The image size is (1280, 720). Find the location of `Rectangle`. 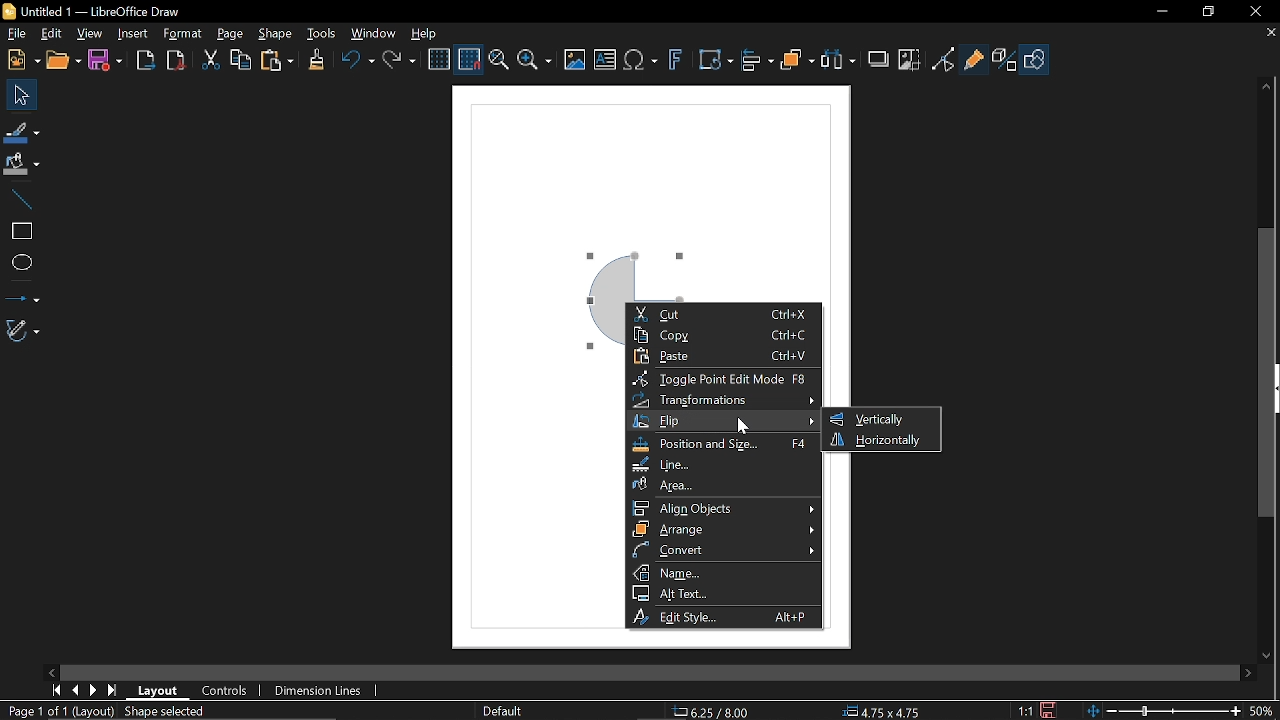

Rectangle is located at coordinates (18, 231).